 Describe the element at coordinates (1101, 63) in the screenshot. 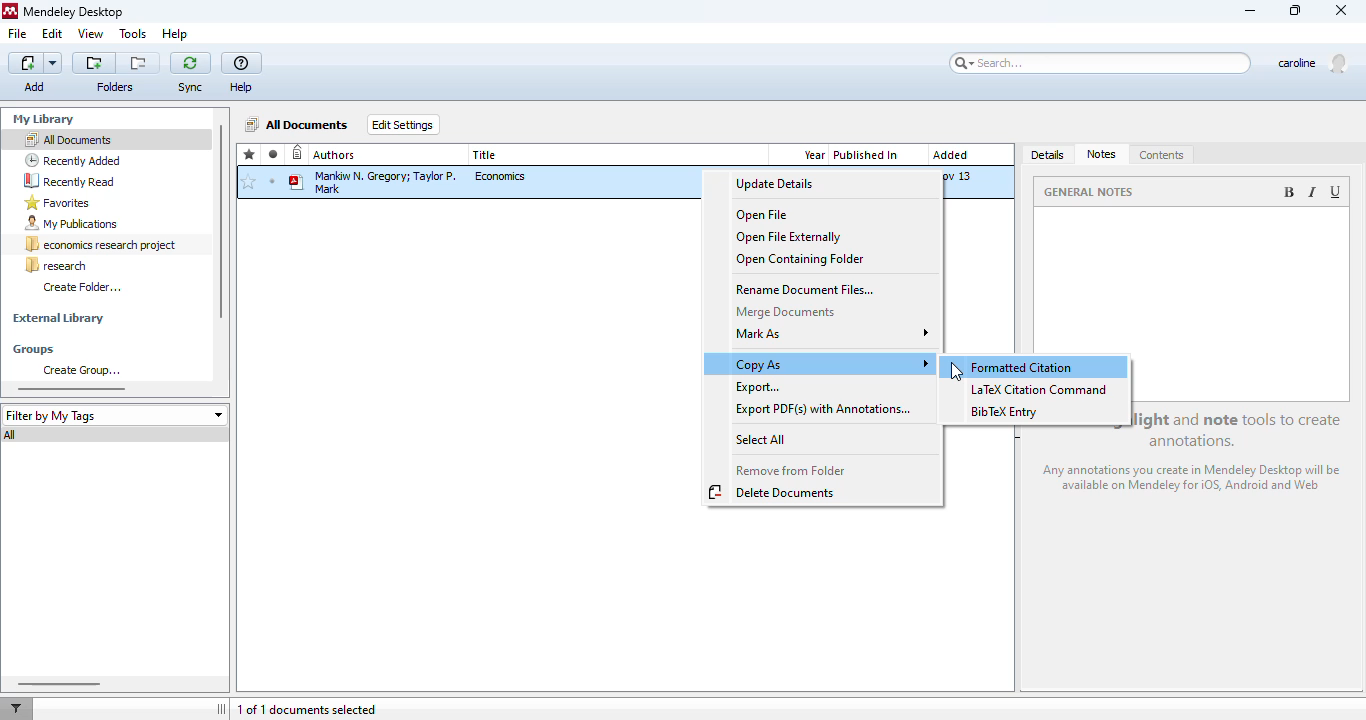

I see `search` at that location.